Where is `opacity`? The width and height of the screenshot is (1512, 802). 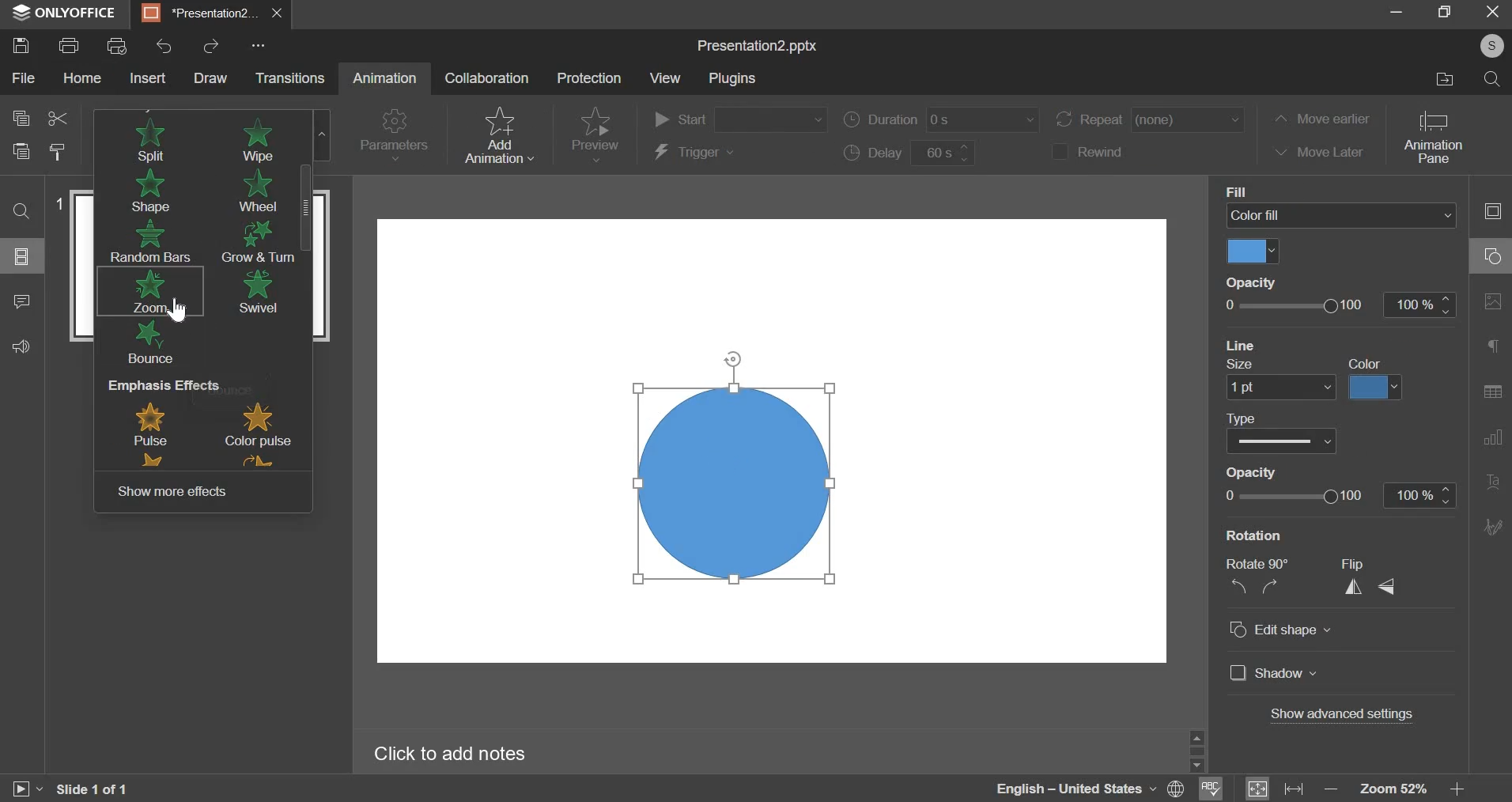
opacity is located at coordinates (1249, 367).